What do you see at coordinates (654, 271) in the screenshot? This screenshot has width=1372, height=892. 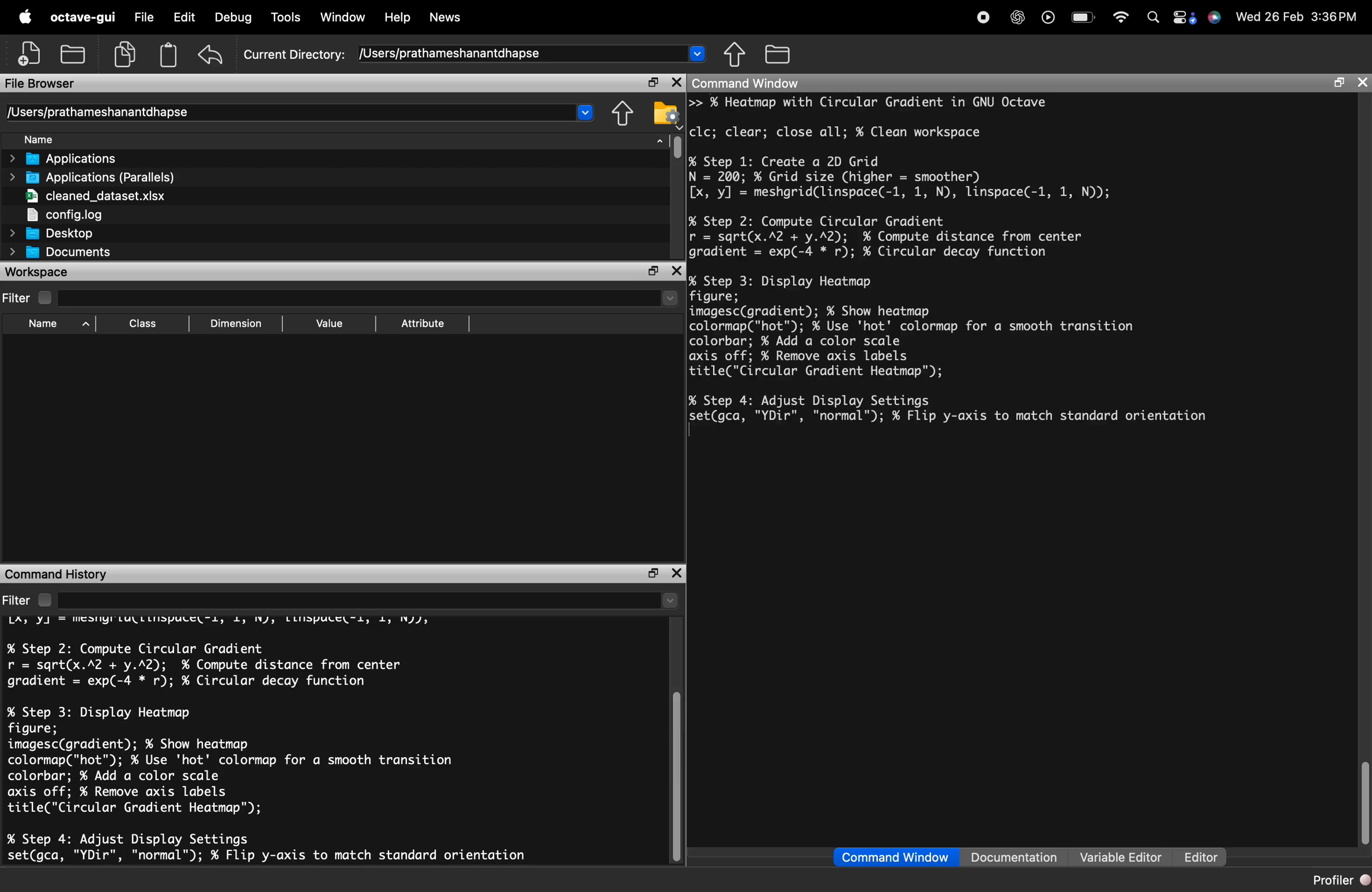 I see `maximize` at bounding box center [654, 271].